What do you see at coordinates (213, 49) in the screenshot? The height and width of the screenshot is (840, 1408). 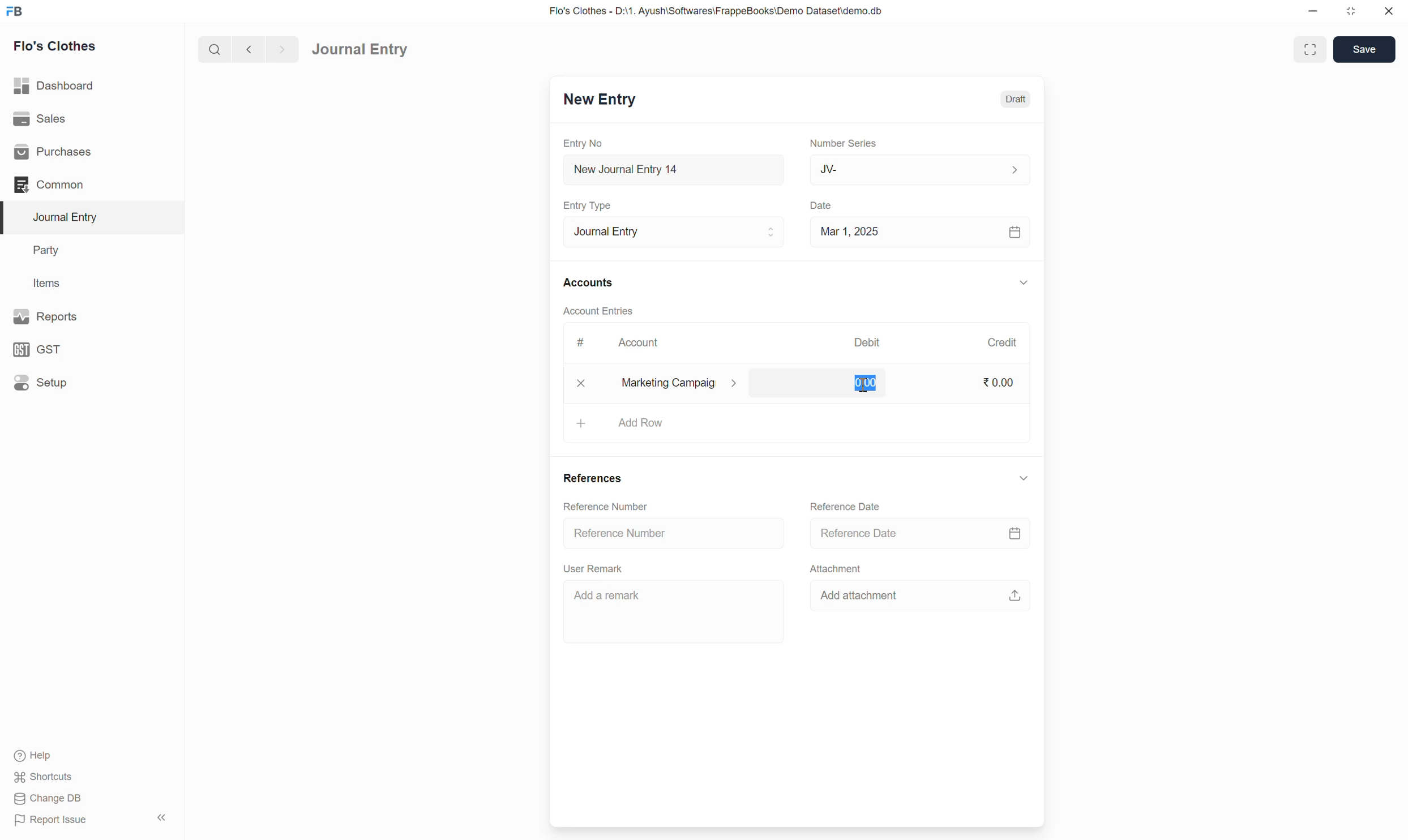 I see `search` at bounding box center [213, 49].